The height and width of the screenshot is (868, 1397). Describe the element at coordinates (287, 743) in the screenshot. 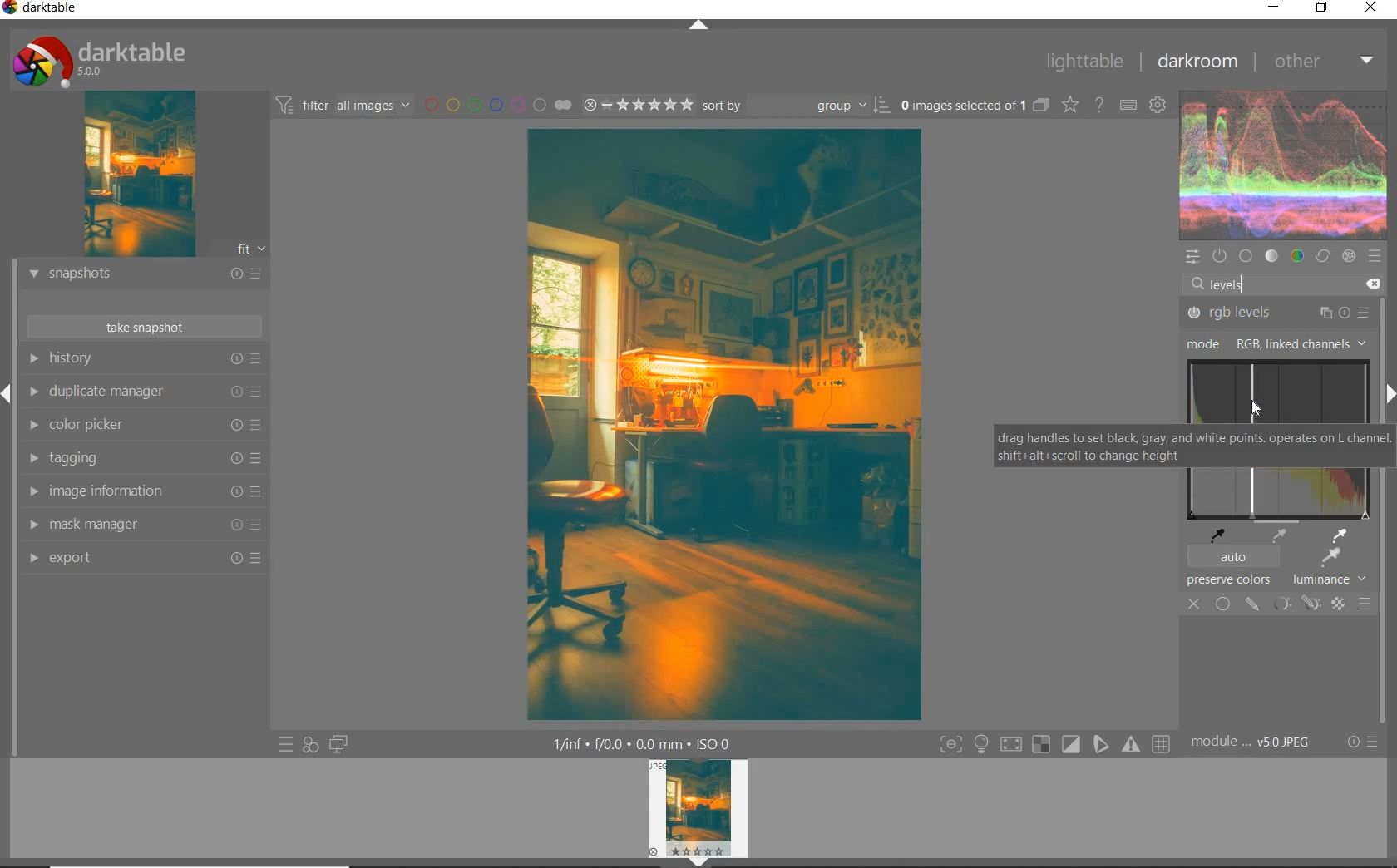

I see `quick access to presets` at that location.